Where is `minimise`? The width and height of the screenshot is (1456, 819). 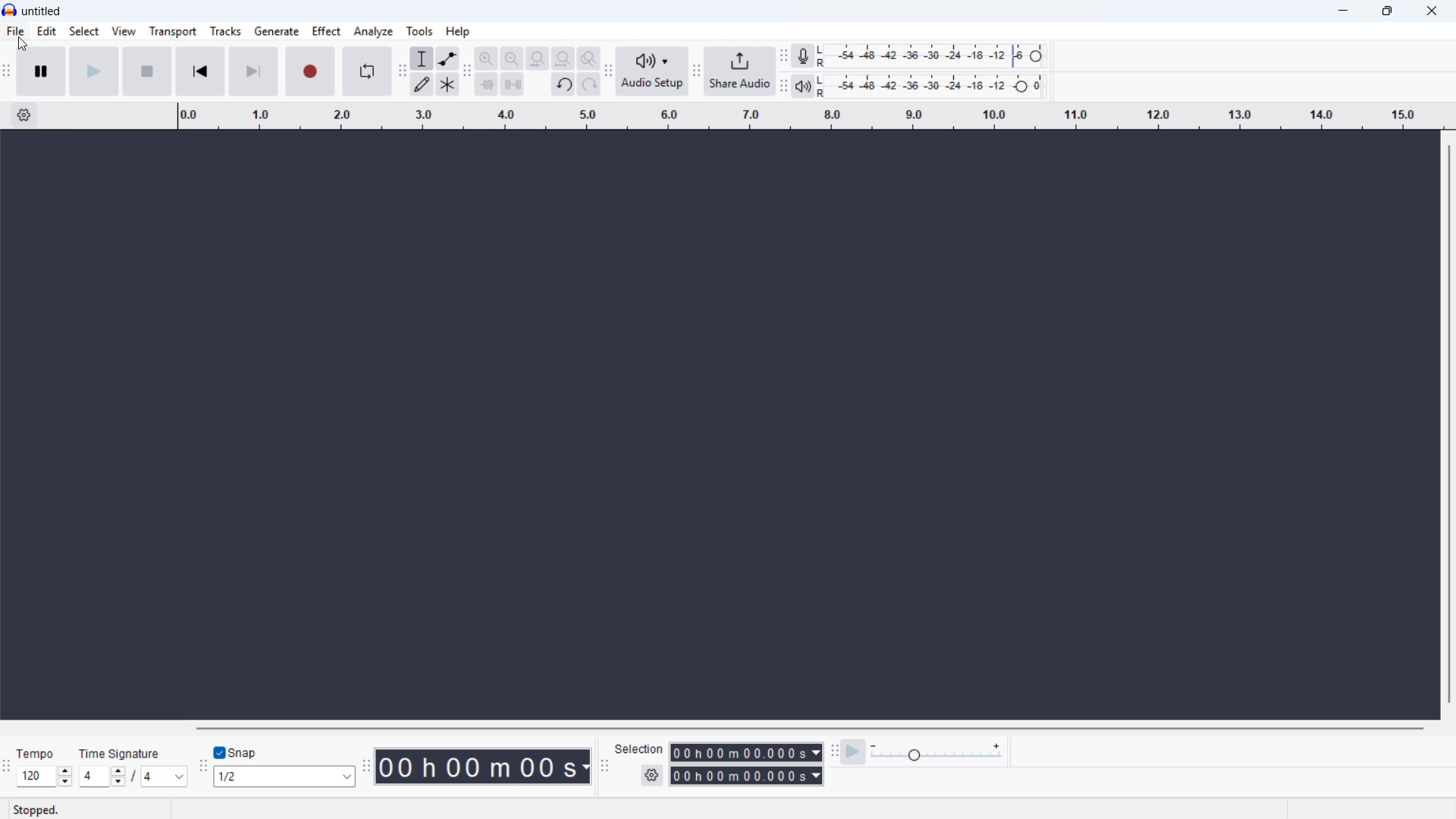 minimise is located at coordinates (1345, 11).